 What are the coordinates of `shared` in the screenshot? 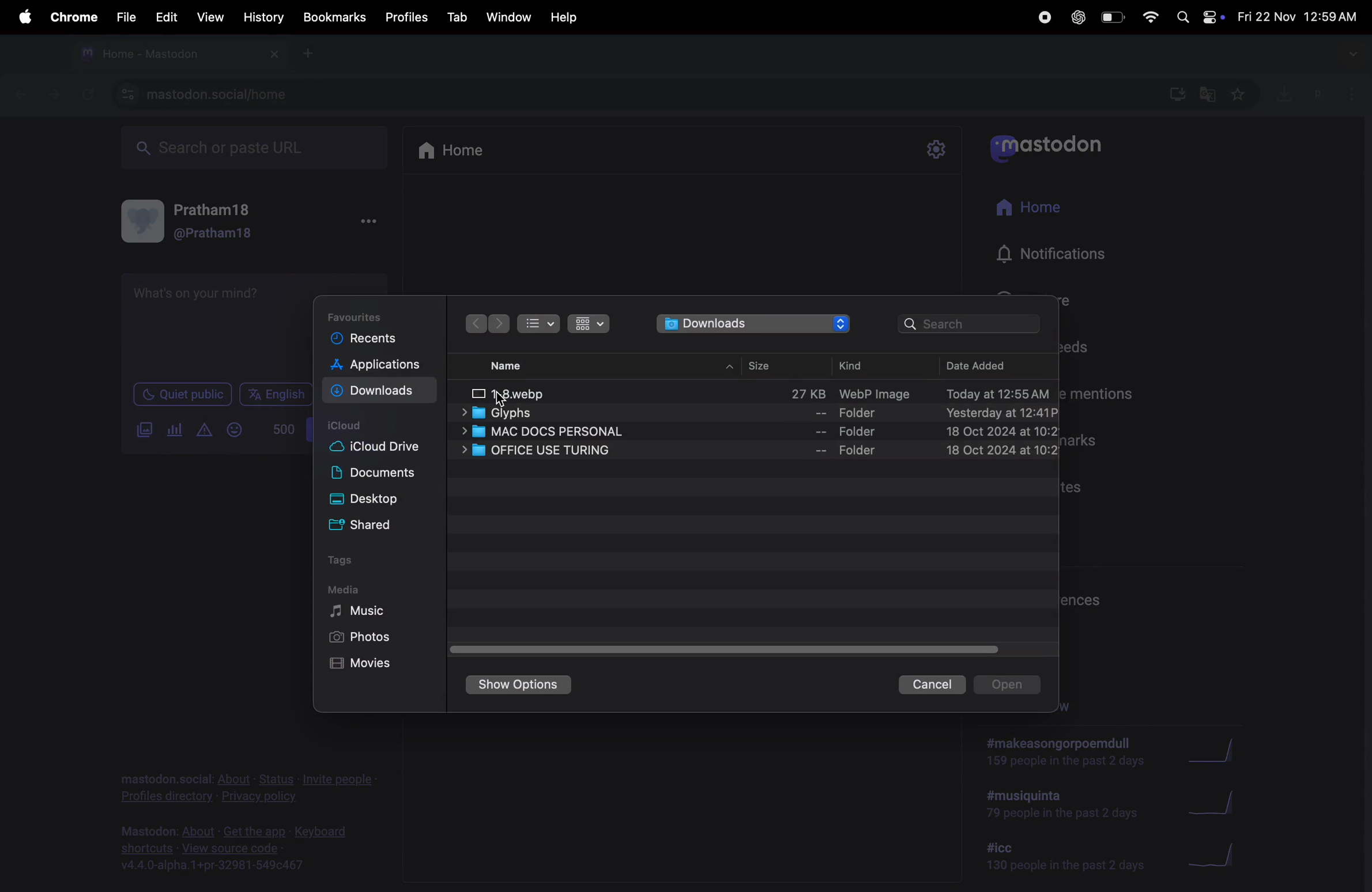 It's located at (365, 526).